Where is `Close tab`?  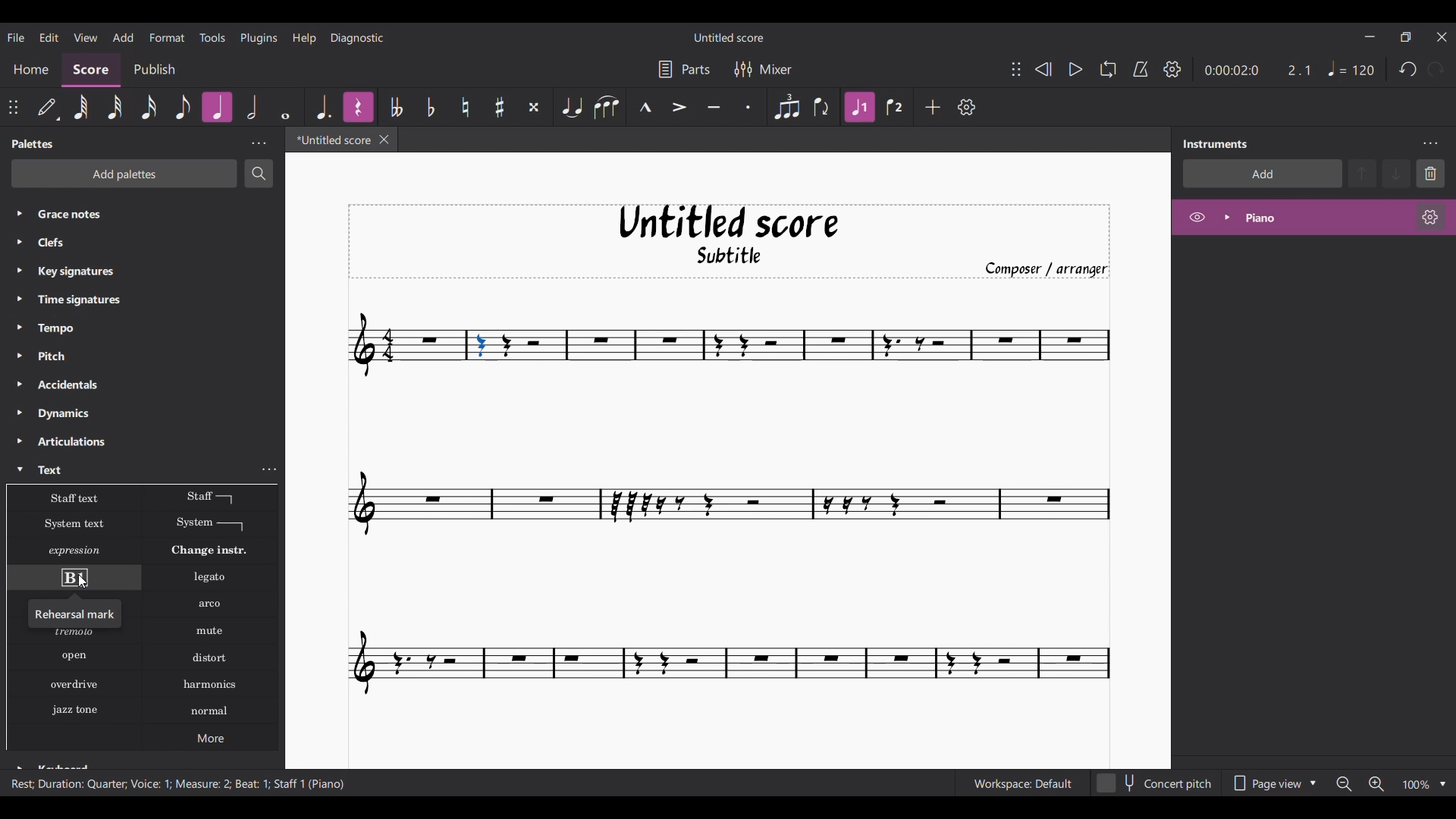 Close tab is located at coordinates (384, 140).